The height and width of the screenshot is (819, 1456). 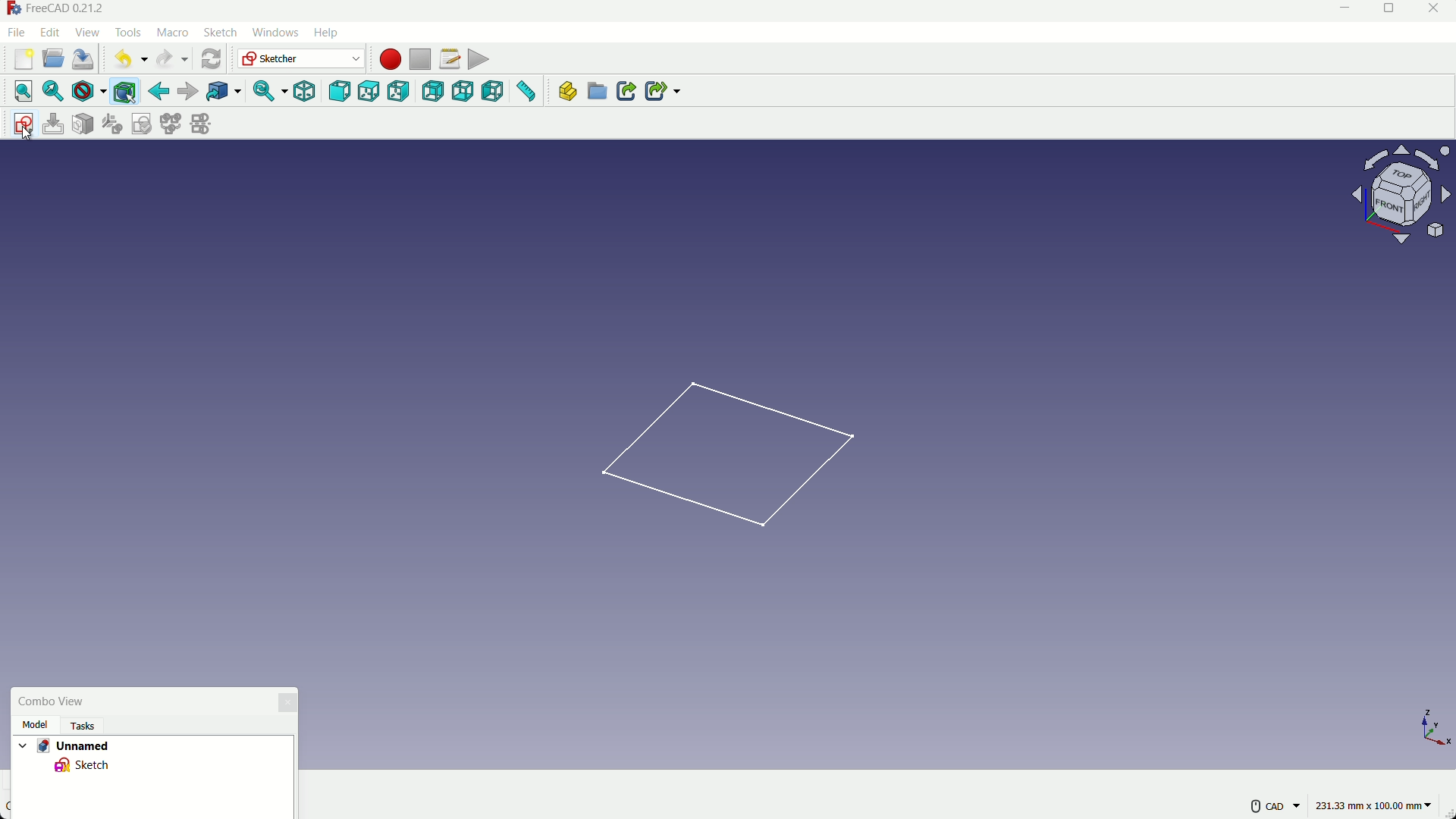 I want to click on create group, so click(x=596, y=89).